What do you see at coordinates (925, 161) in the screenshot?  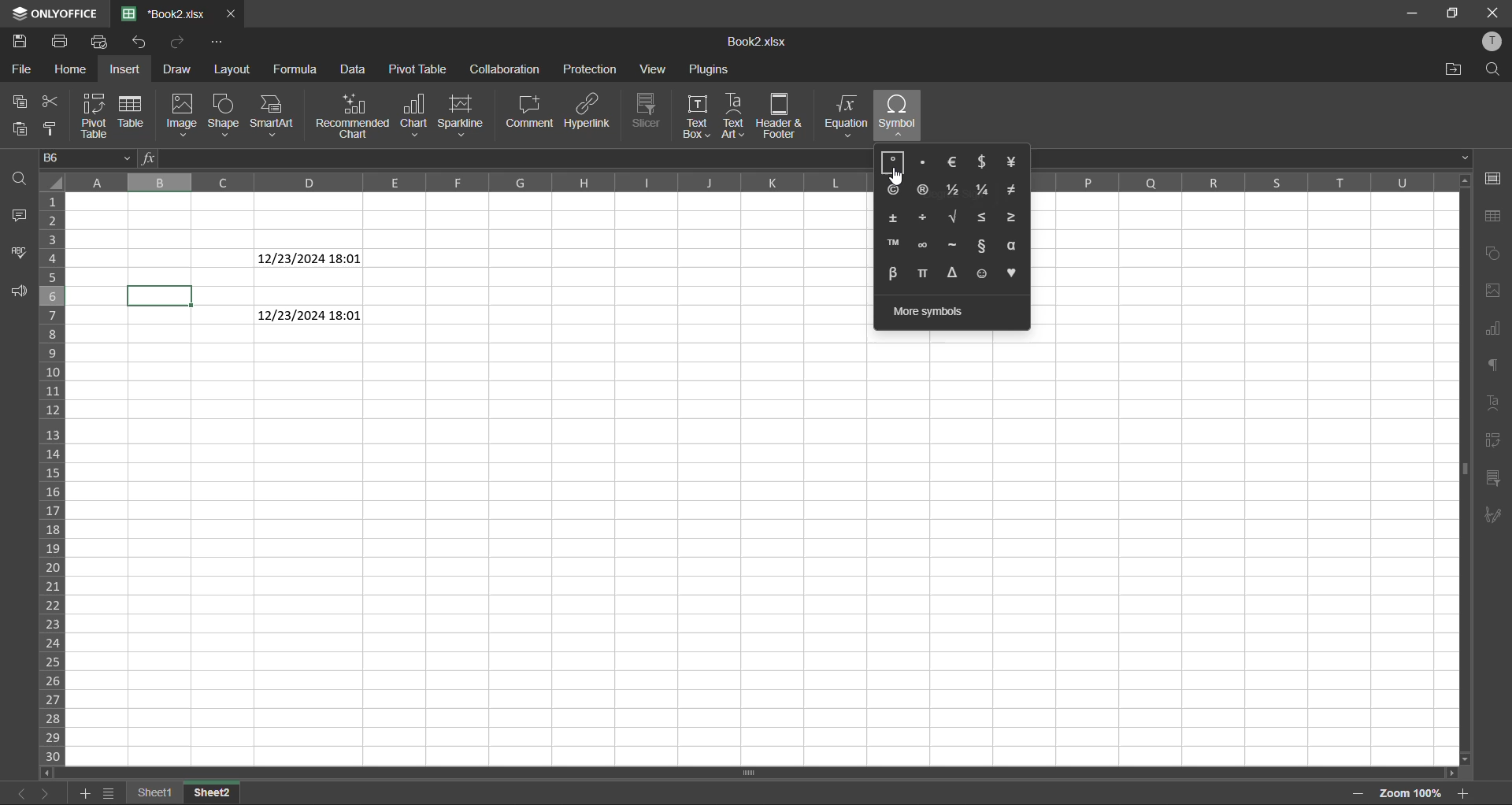 I see `bulet` at bounding box center [925, 161].